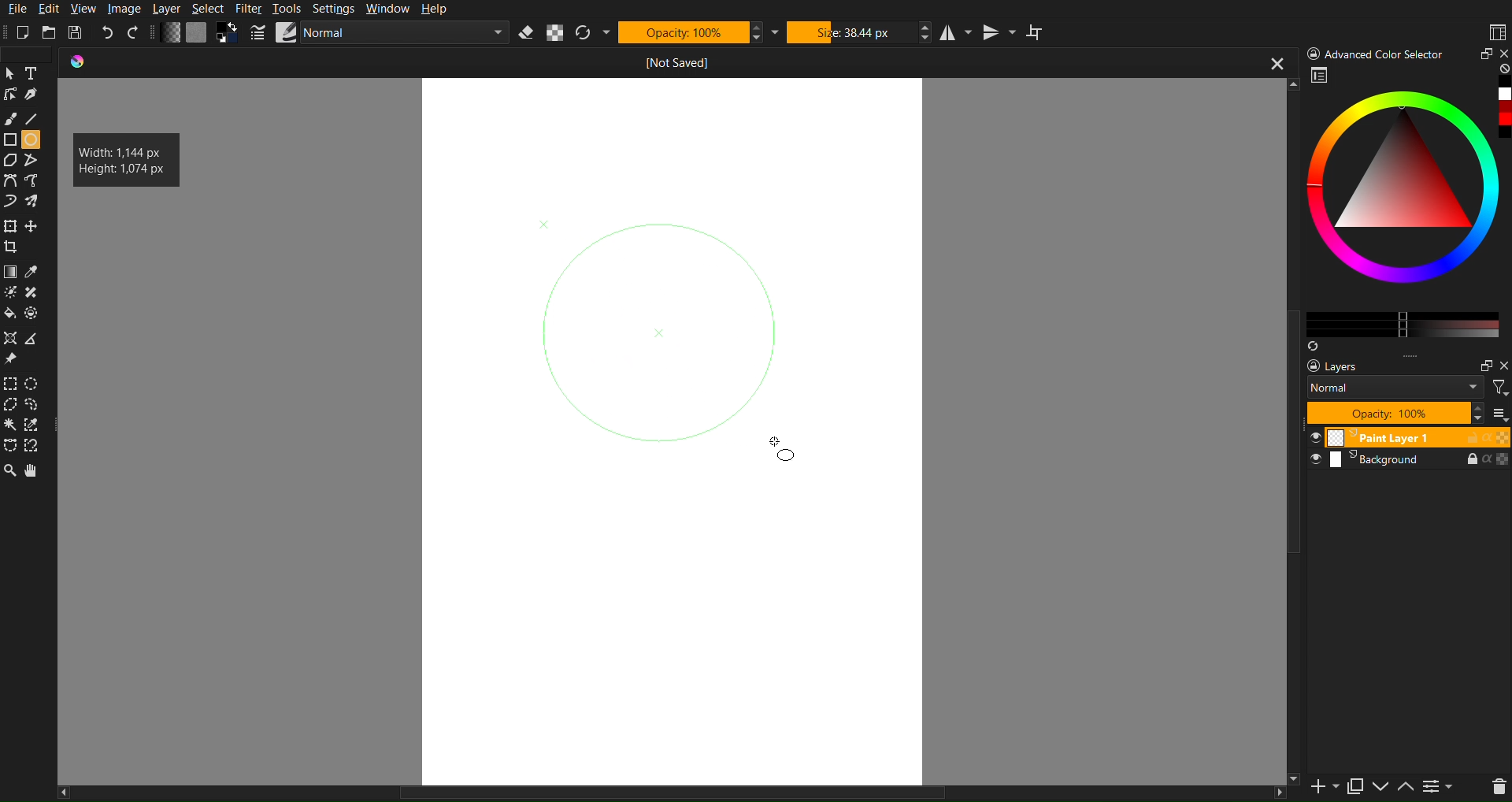 The image size is (1512, 802). What do you see at coordinates (1443, 786) in the screenshot?
I see `contrace` at bounding box center [1443, 786].